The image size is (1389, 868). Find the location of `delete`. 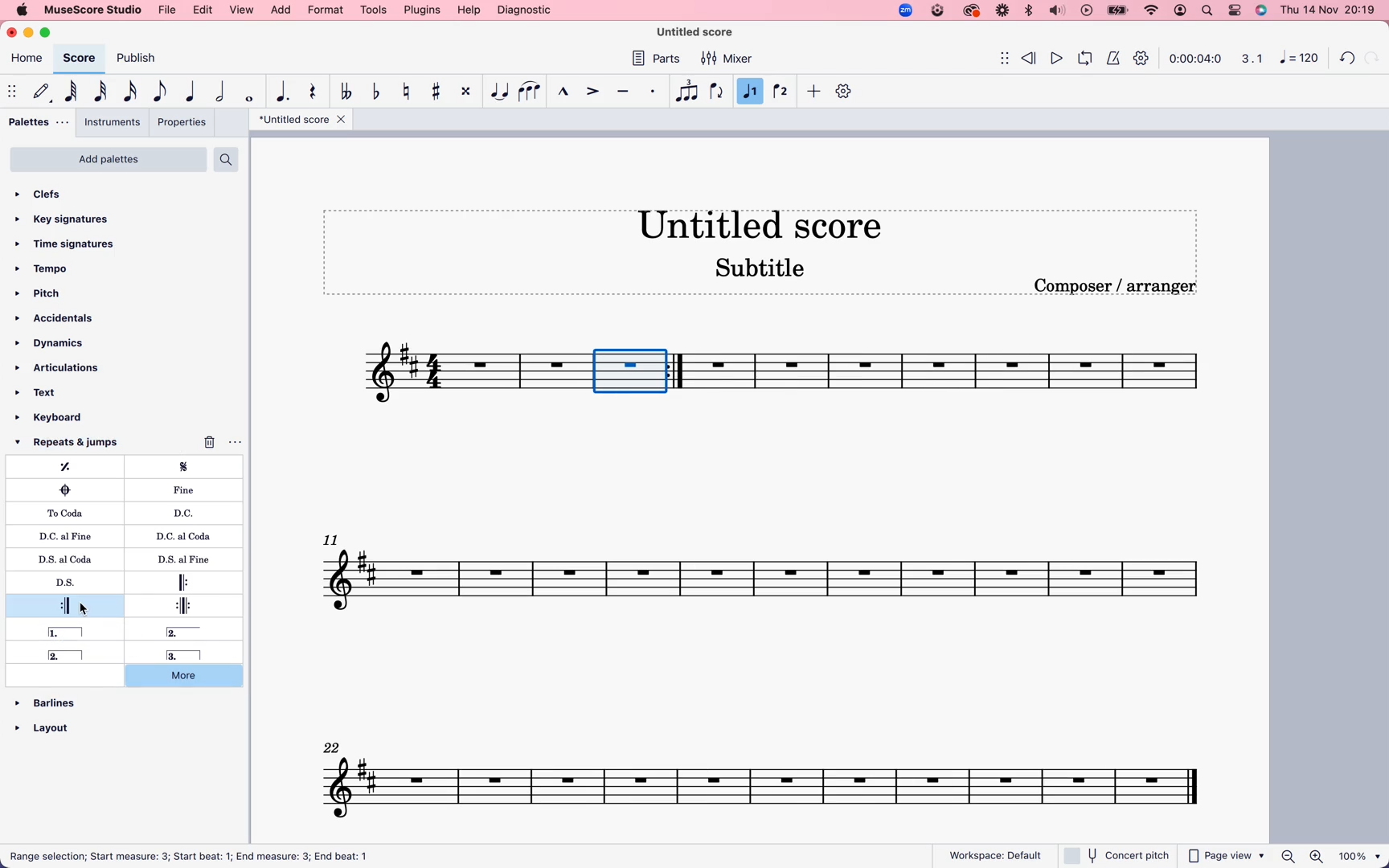

delete is located at coordinates (228, 440).